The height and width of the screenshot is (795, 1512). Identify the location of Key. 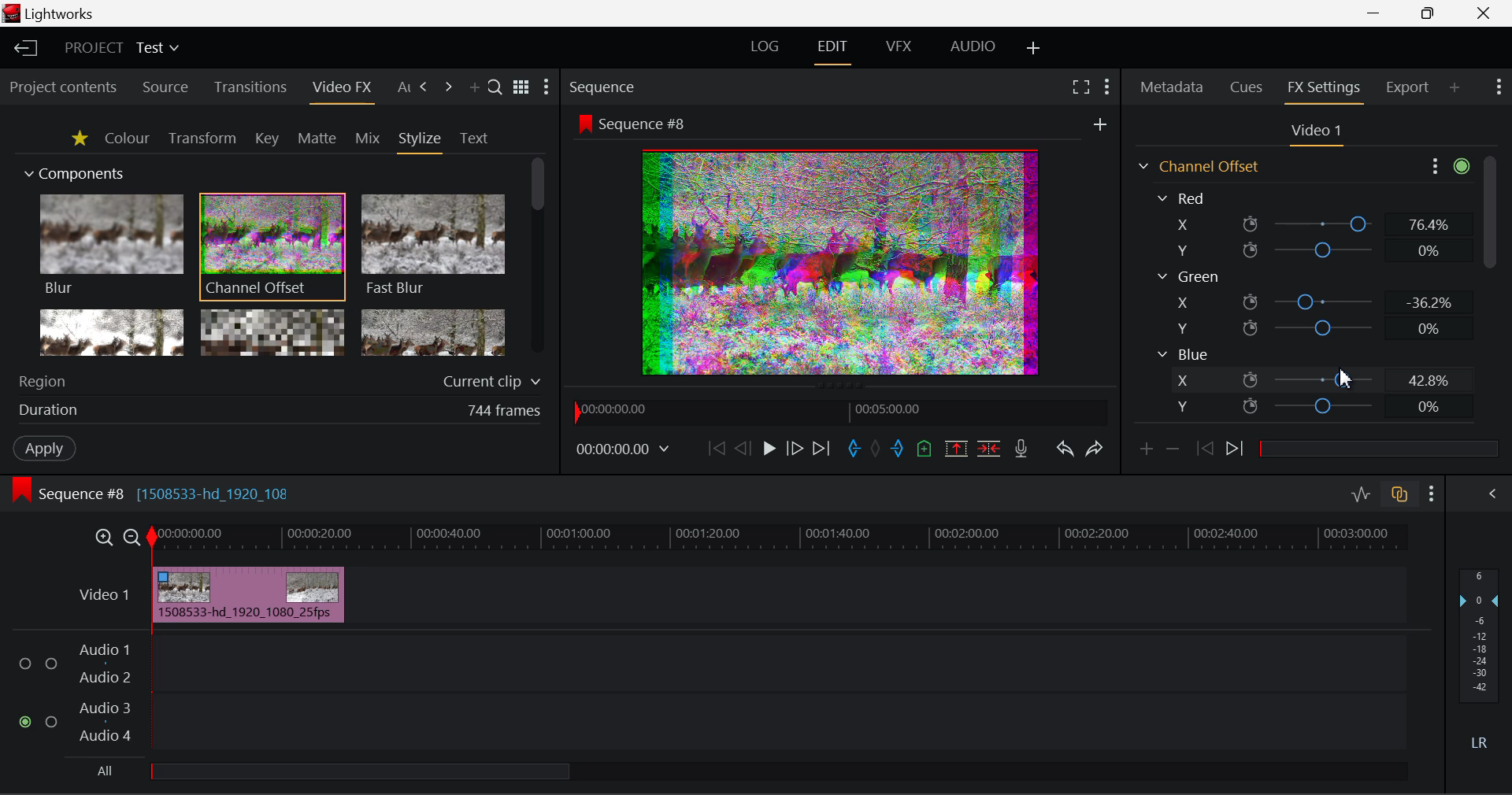
(265, 139).